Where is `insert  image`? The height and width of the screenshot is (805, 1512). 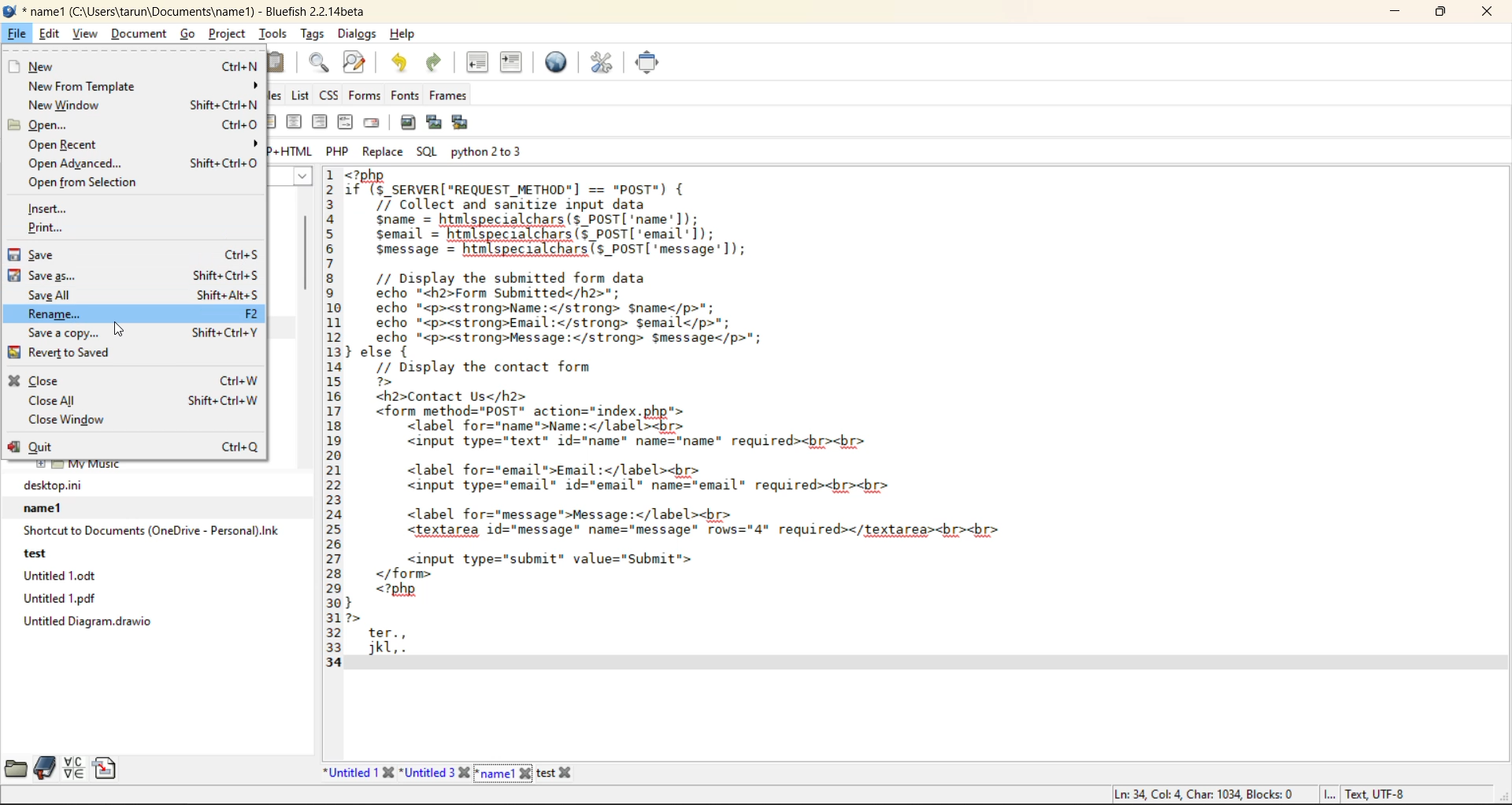 insert  image is located at coordinates (409, 121).